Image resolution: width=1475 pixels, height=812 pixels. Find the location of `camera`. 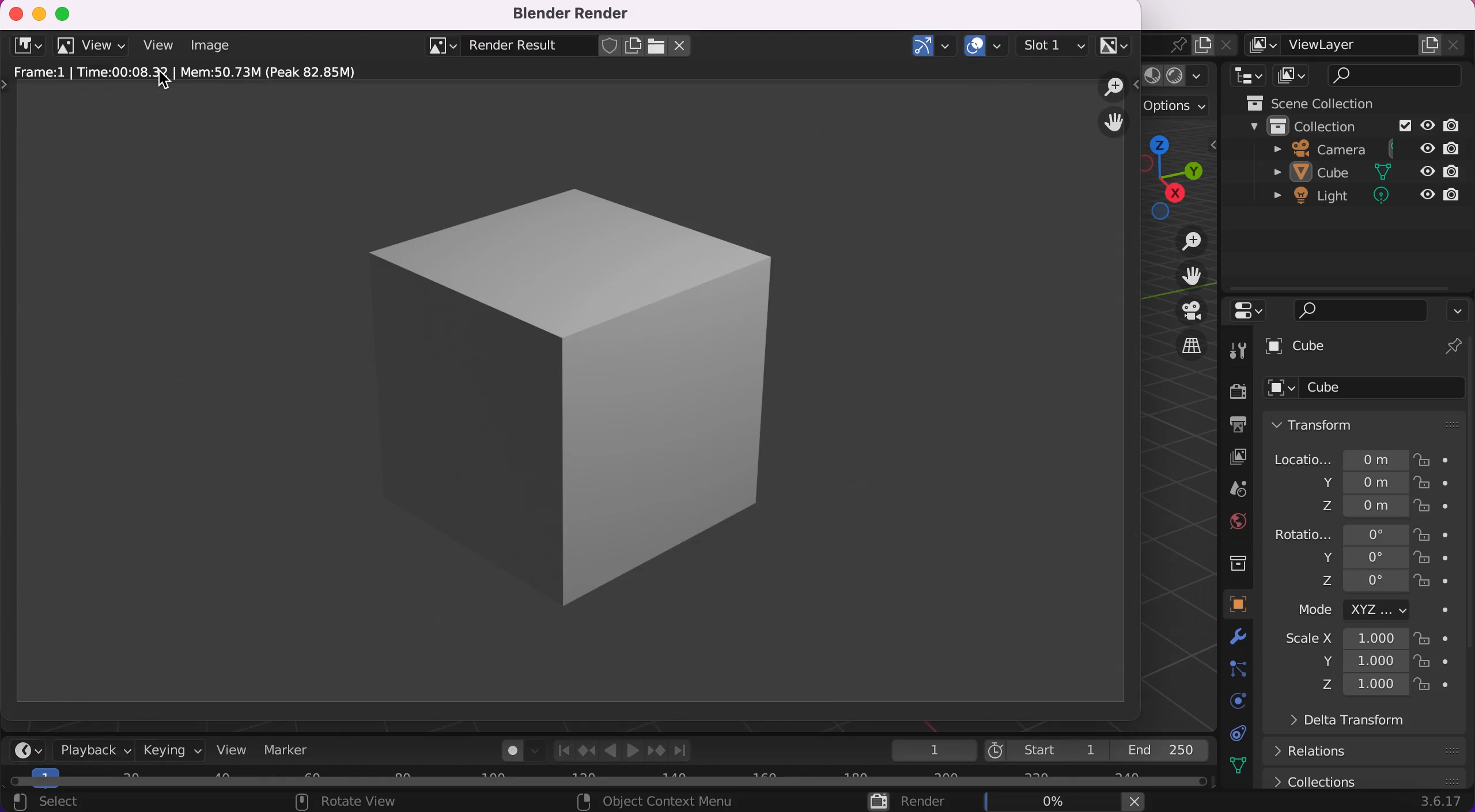

camera is located at coordinates (1317, 150).